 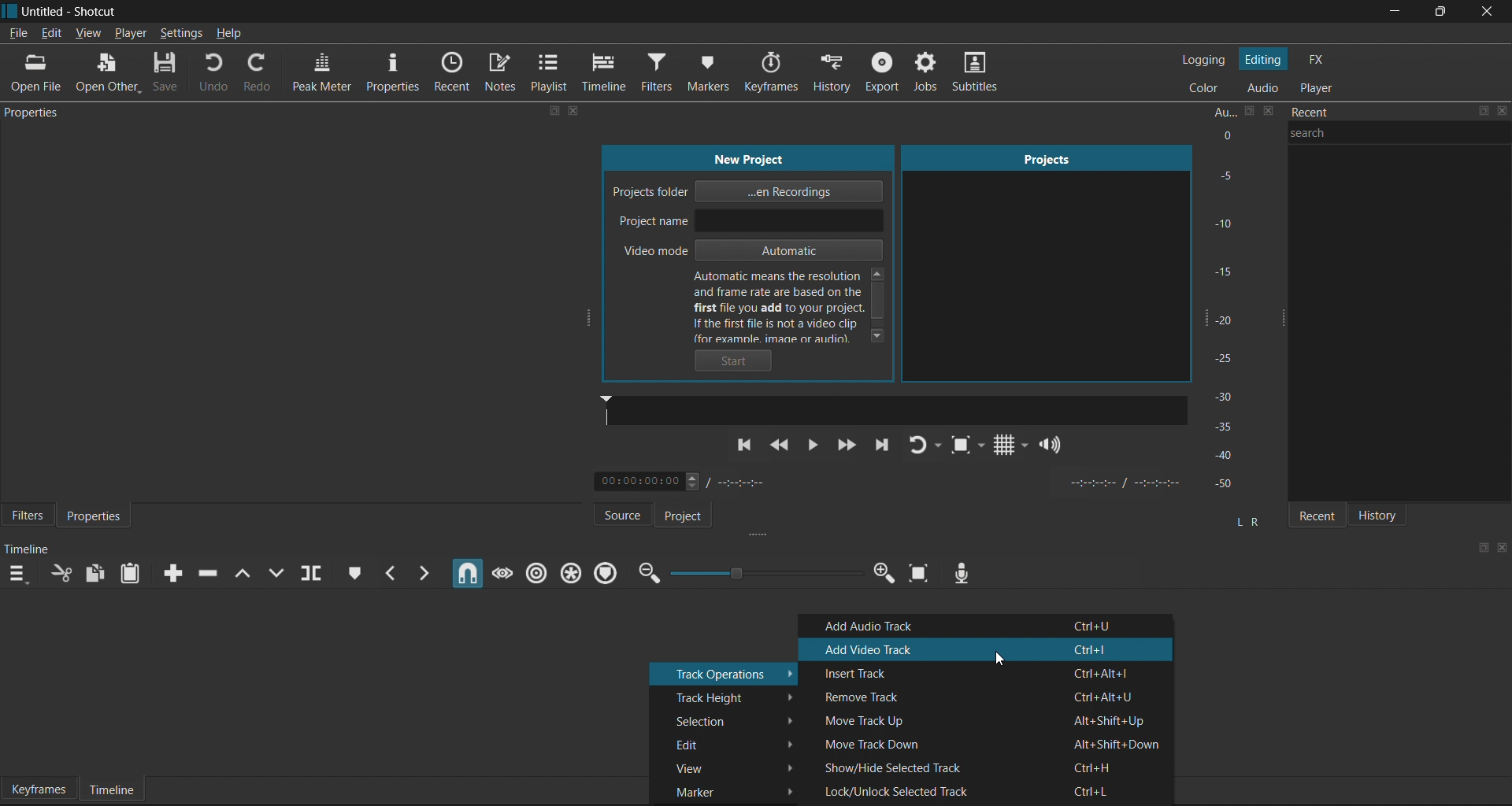 I want to click on properties, so click(x=36, y=113).